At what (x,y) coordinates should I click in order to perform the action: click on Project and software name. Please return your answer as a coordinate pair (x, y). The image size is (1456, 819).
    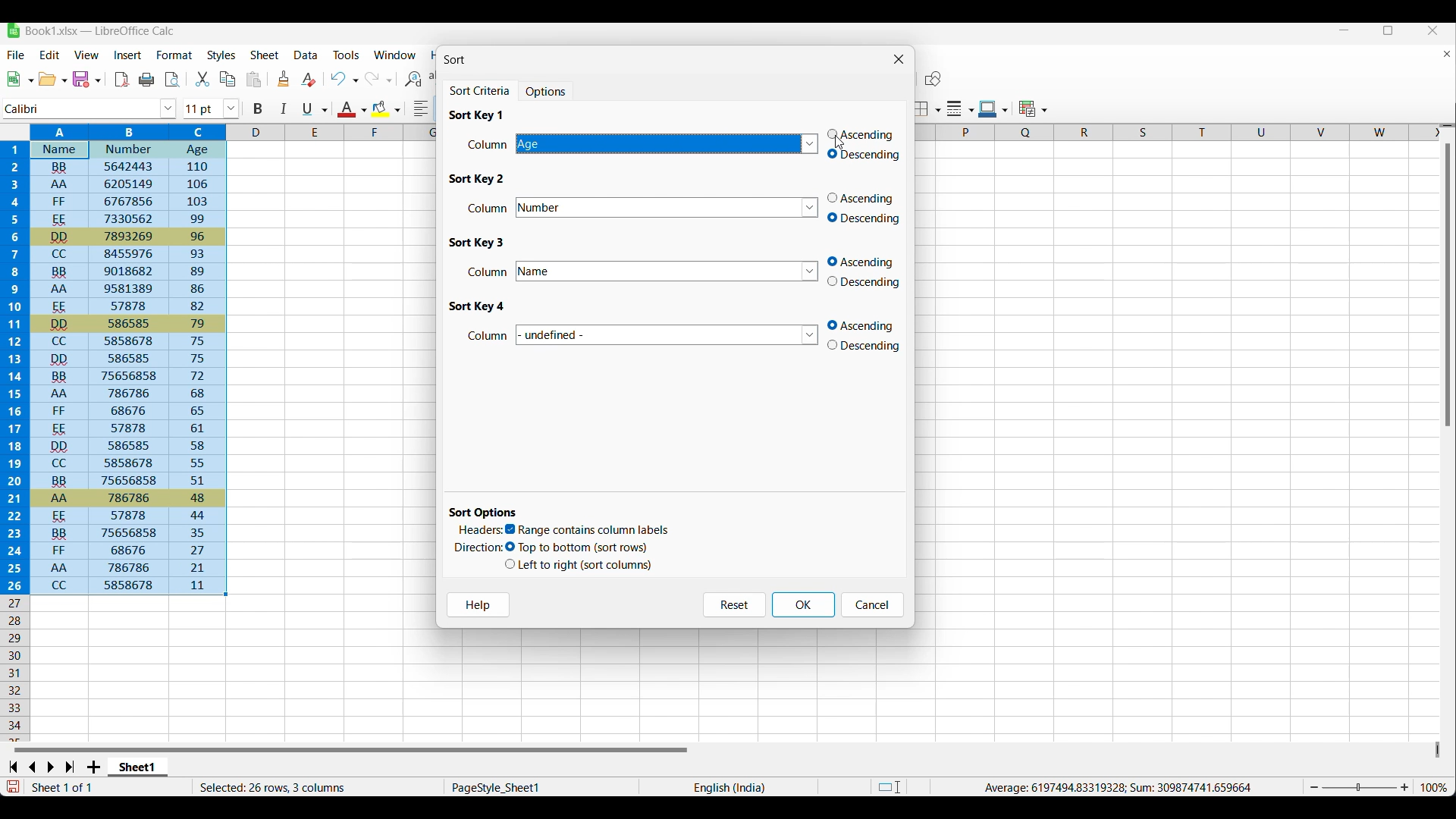
    Looking at the image, I should click on (100, 31).